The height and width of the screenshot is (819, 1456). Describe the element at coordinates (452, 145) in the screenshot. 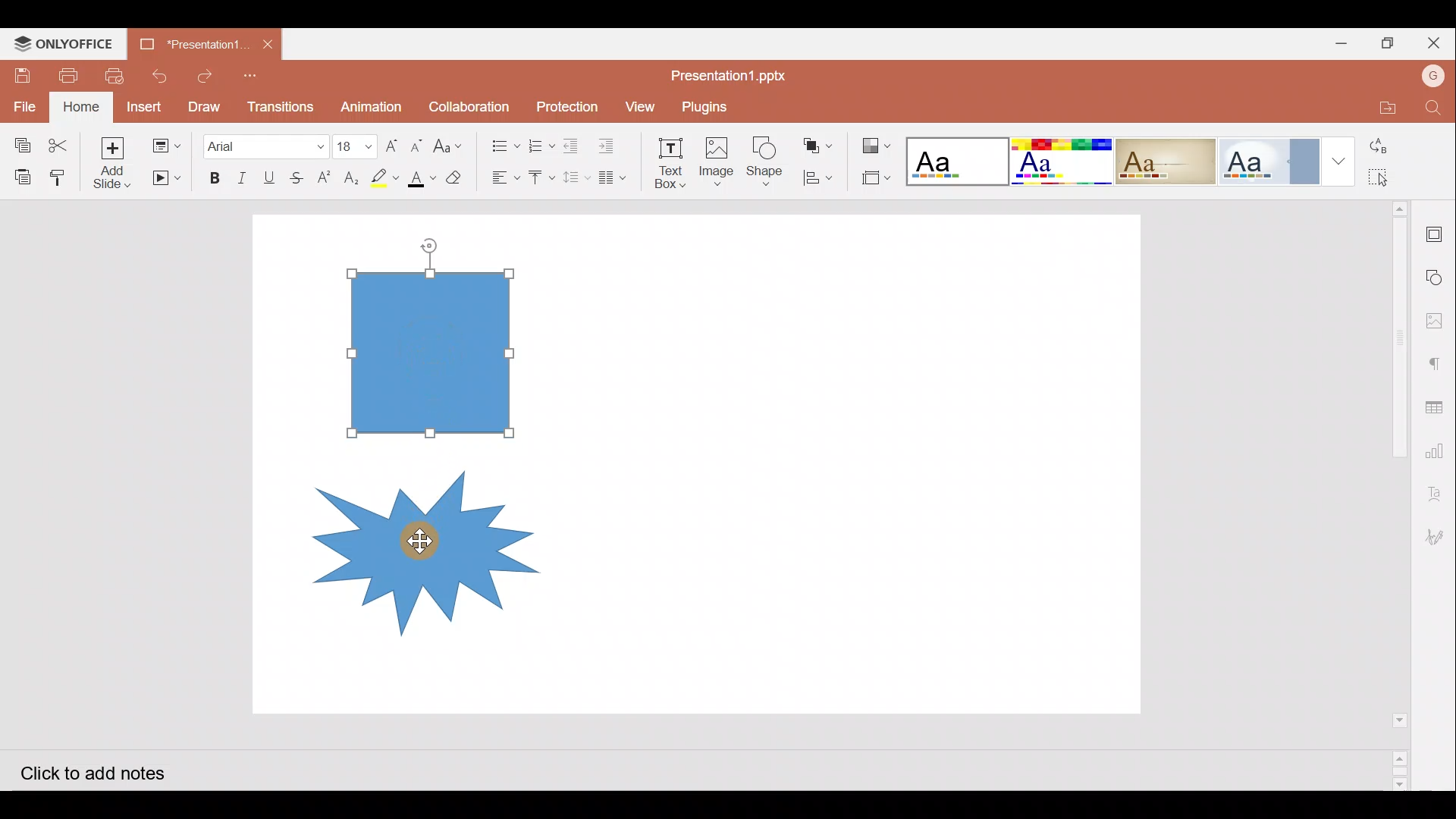

I see `Change case` at that location.